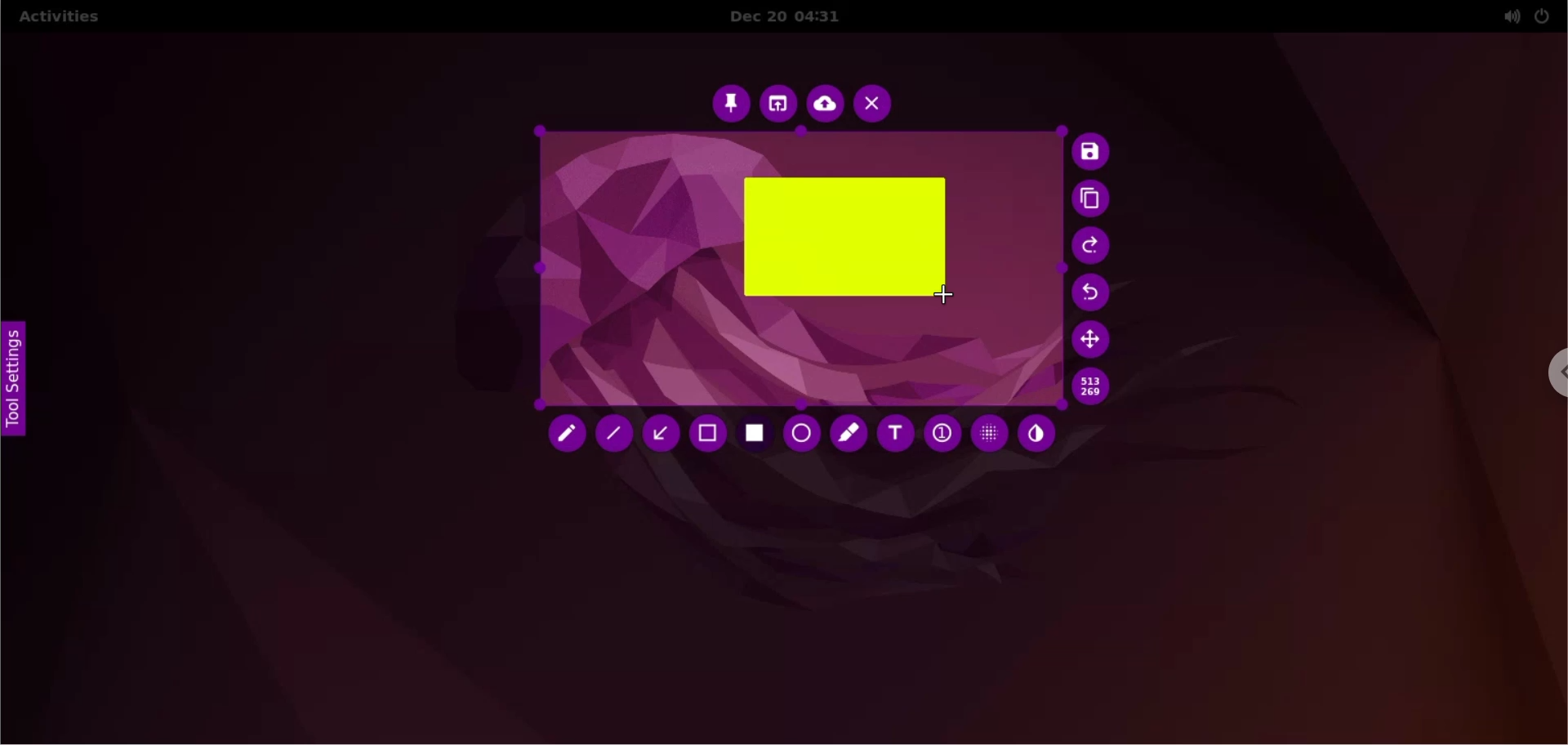 This screenshot has height=745, width=1568. What do you see at coordinates (1506, 16) in the screenshot?
I see `sound setting options` at bounding box center [1506, 16].